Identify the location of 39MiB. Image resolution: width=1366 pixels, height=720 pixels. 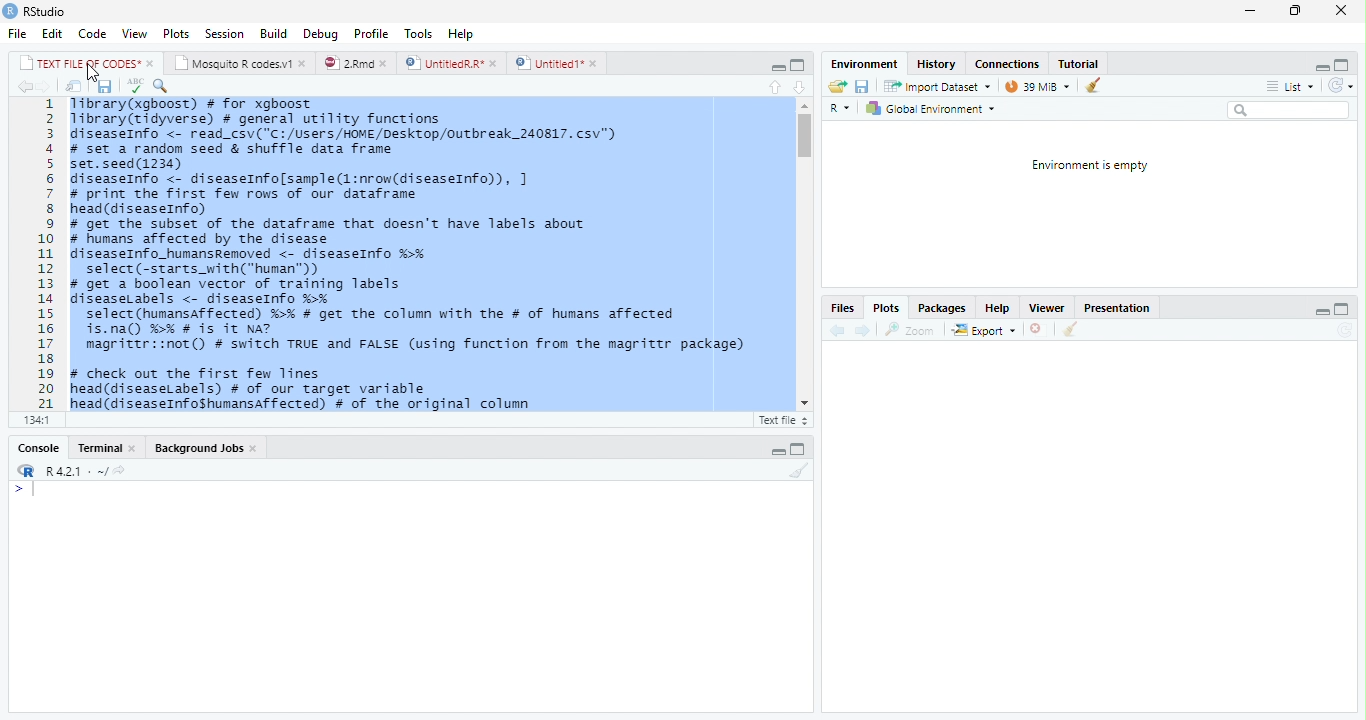
(1037, 84).